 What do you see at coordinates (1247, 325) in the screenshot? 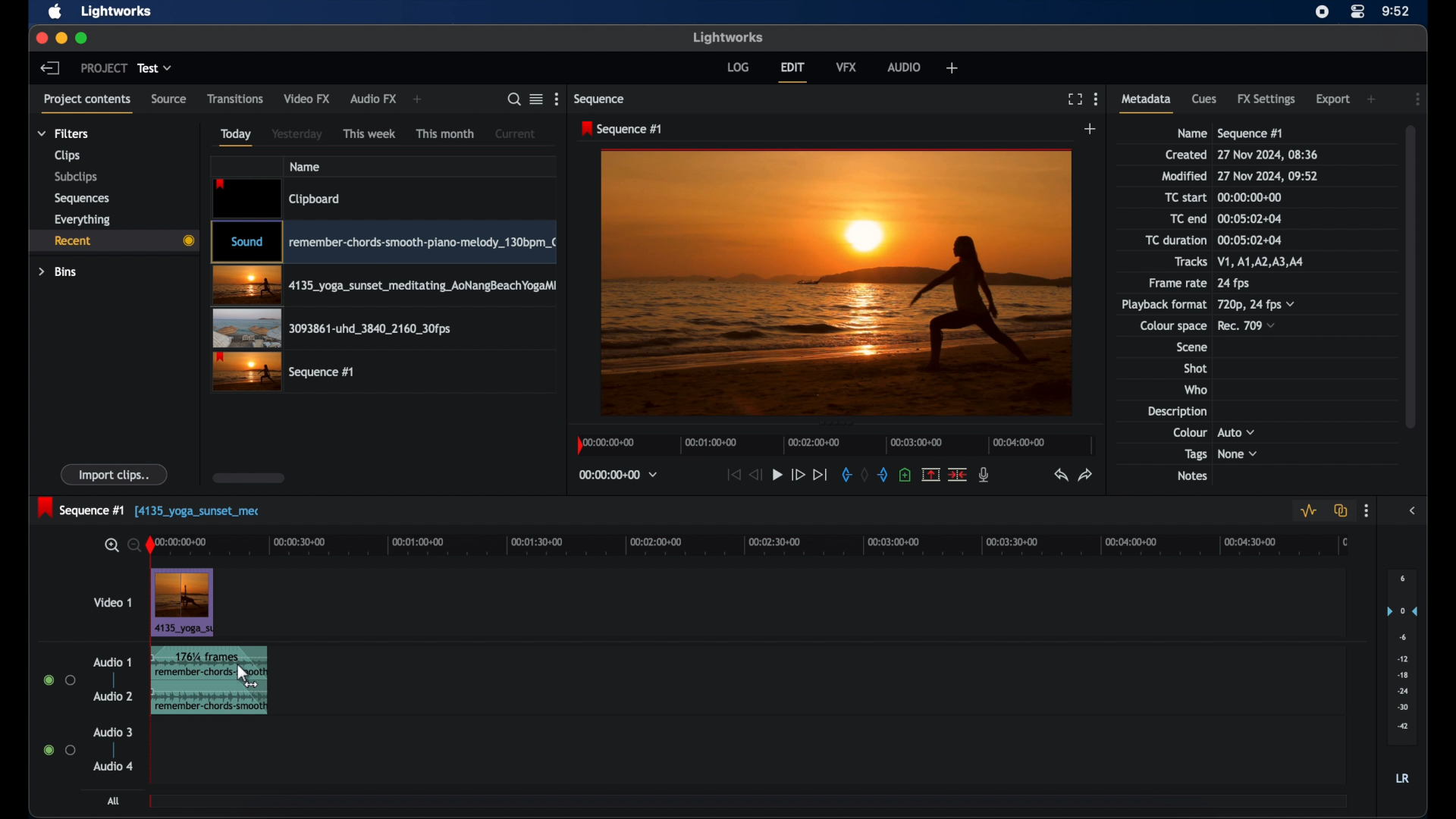
I see `rec709` at bounding box center [1247, 325].